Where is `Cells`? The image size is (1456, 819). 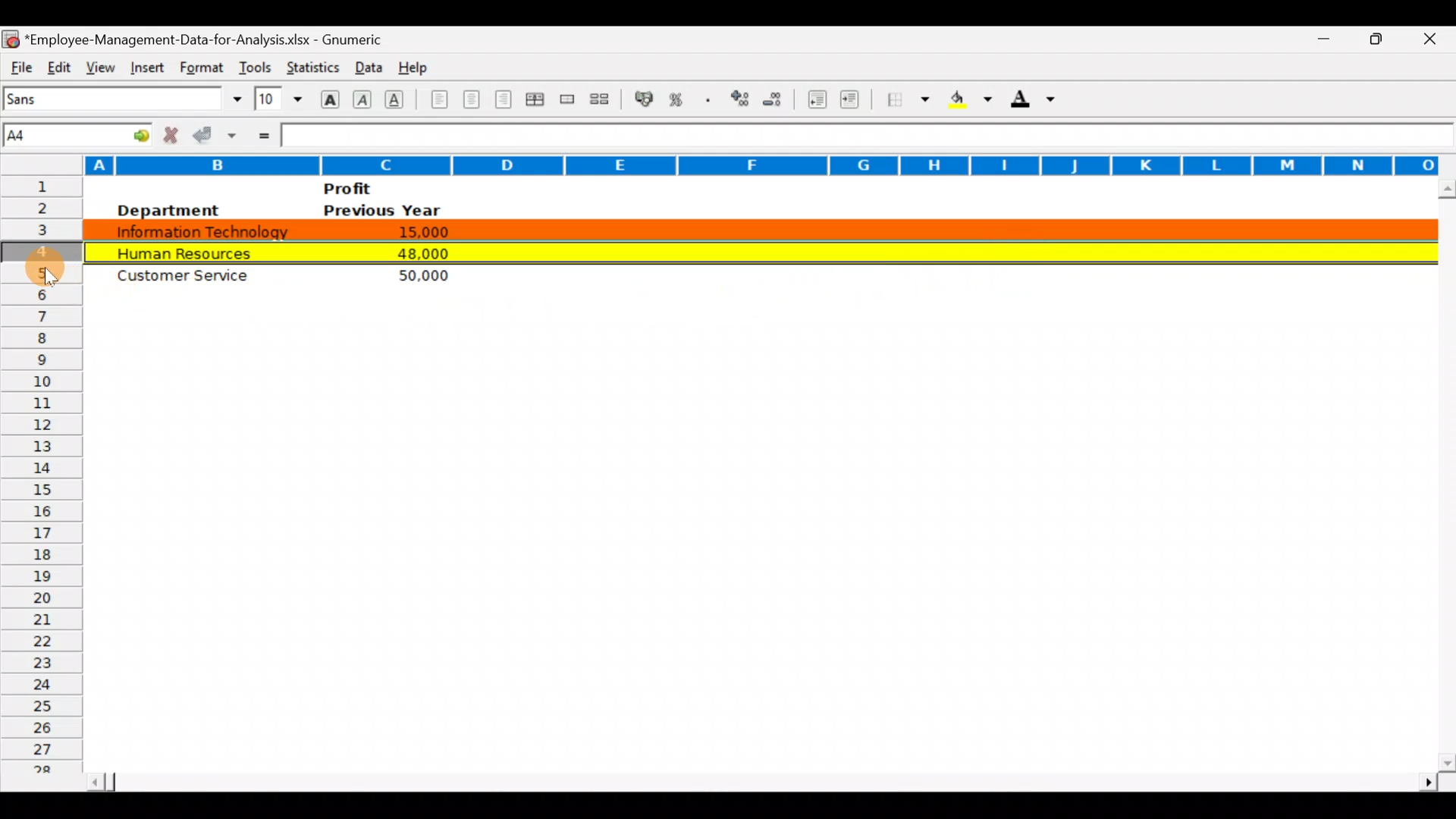
Cells is located at coordinates (747, 564).